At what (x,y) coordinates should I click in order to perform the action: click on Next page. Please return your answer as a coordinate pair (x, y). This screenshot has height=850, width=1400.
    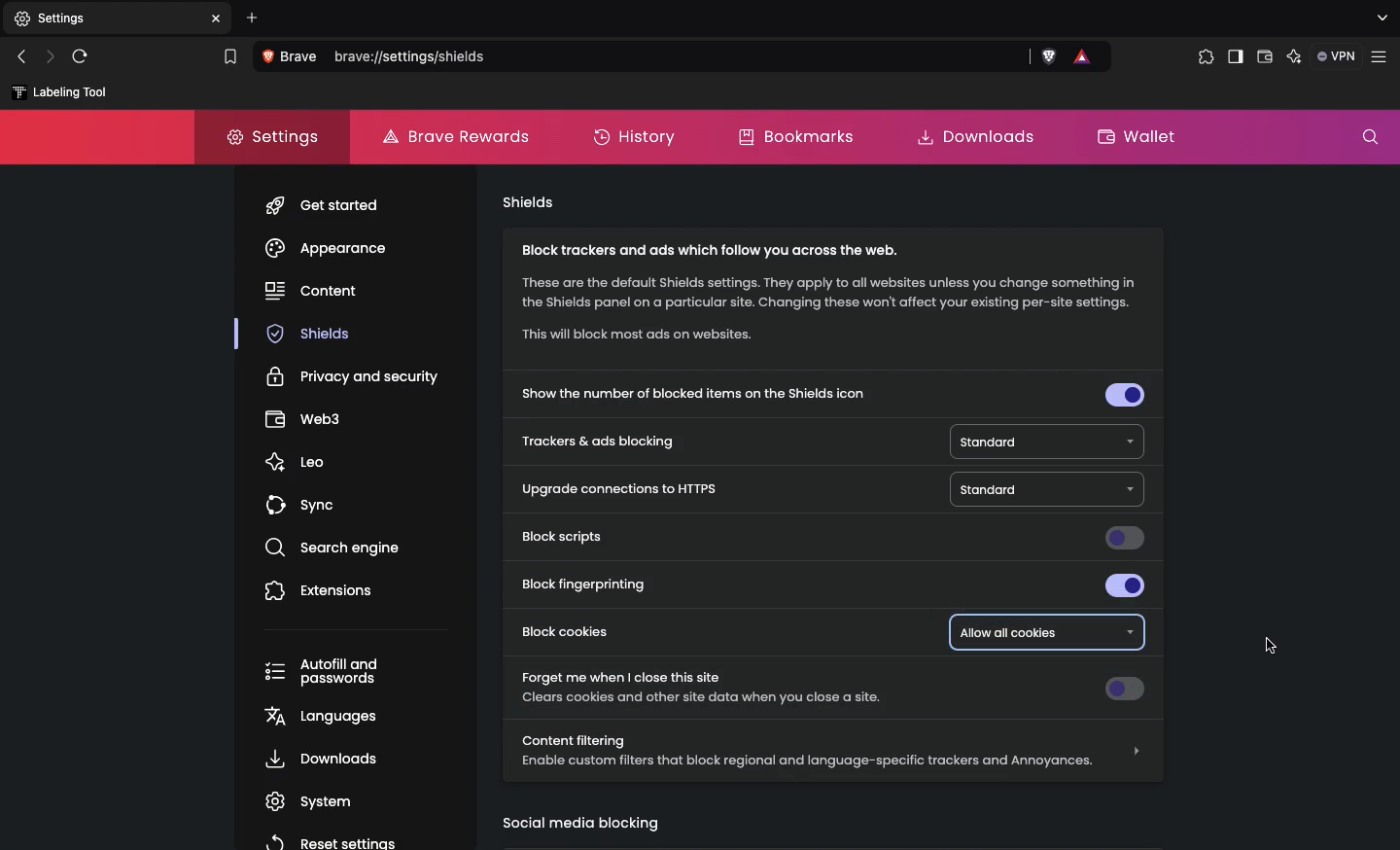
    Looking at the image, I should click on (49, 57).